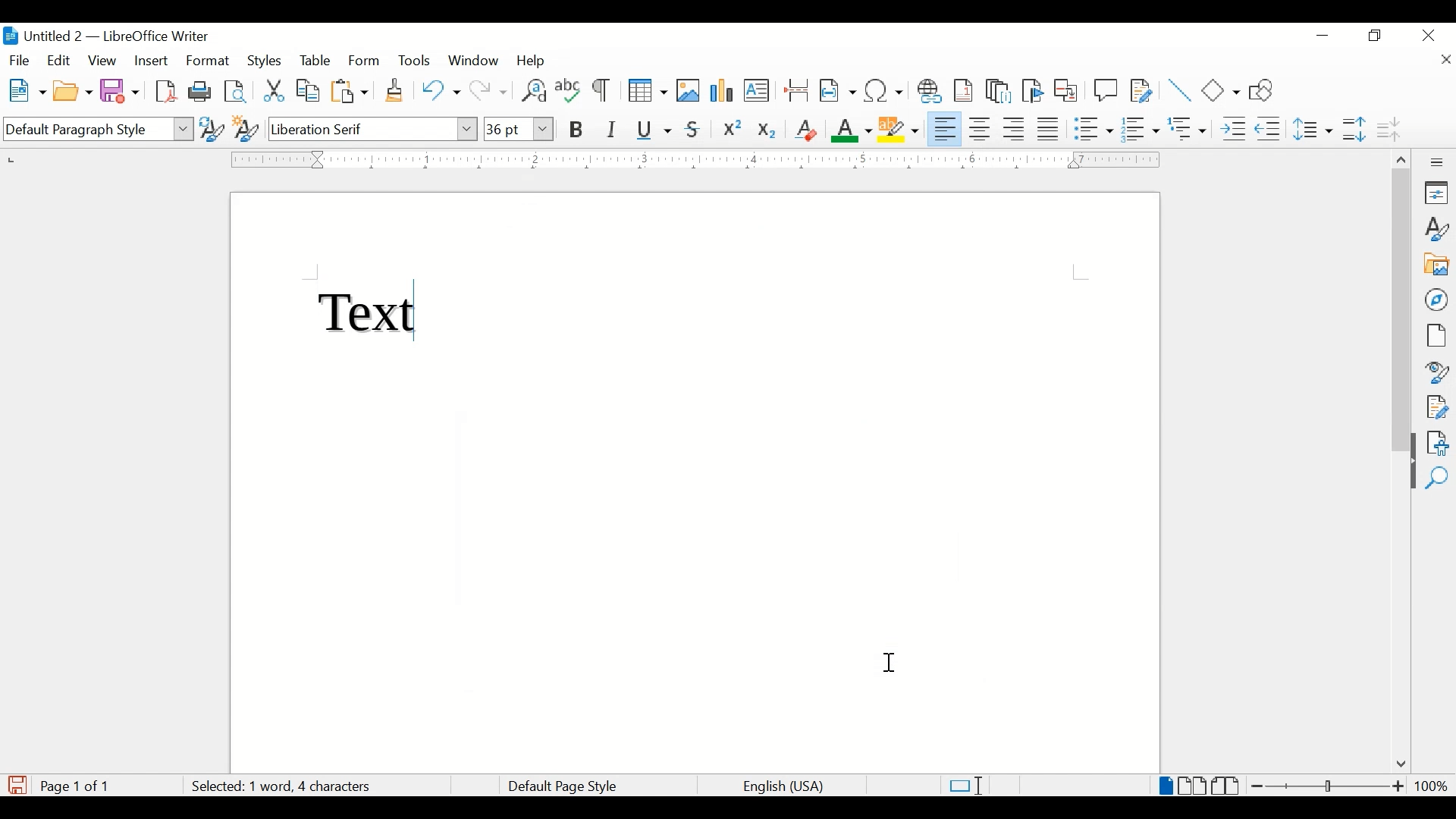  What do you see at coordinates (150, 61) in the screenshot?
I see `insert` at bounding box center [150, 61].